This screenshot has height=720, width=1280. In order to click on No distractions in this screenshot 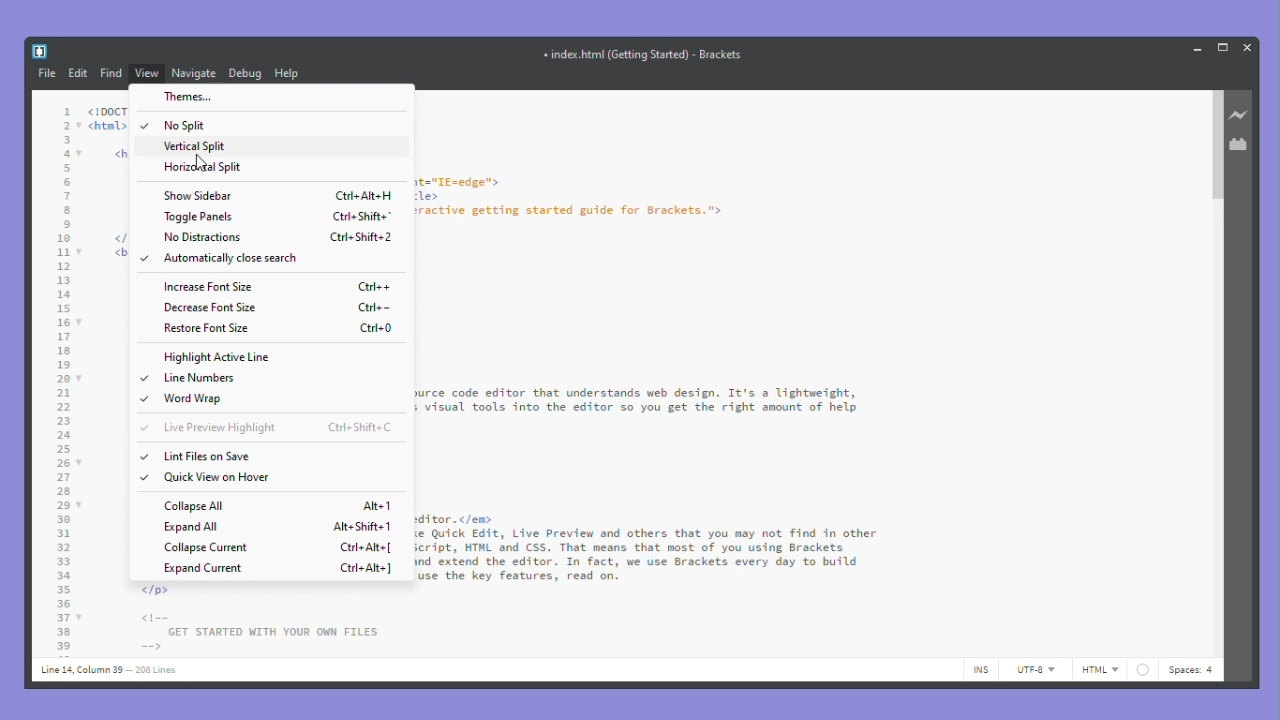, I will do `click(271, 237)`.